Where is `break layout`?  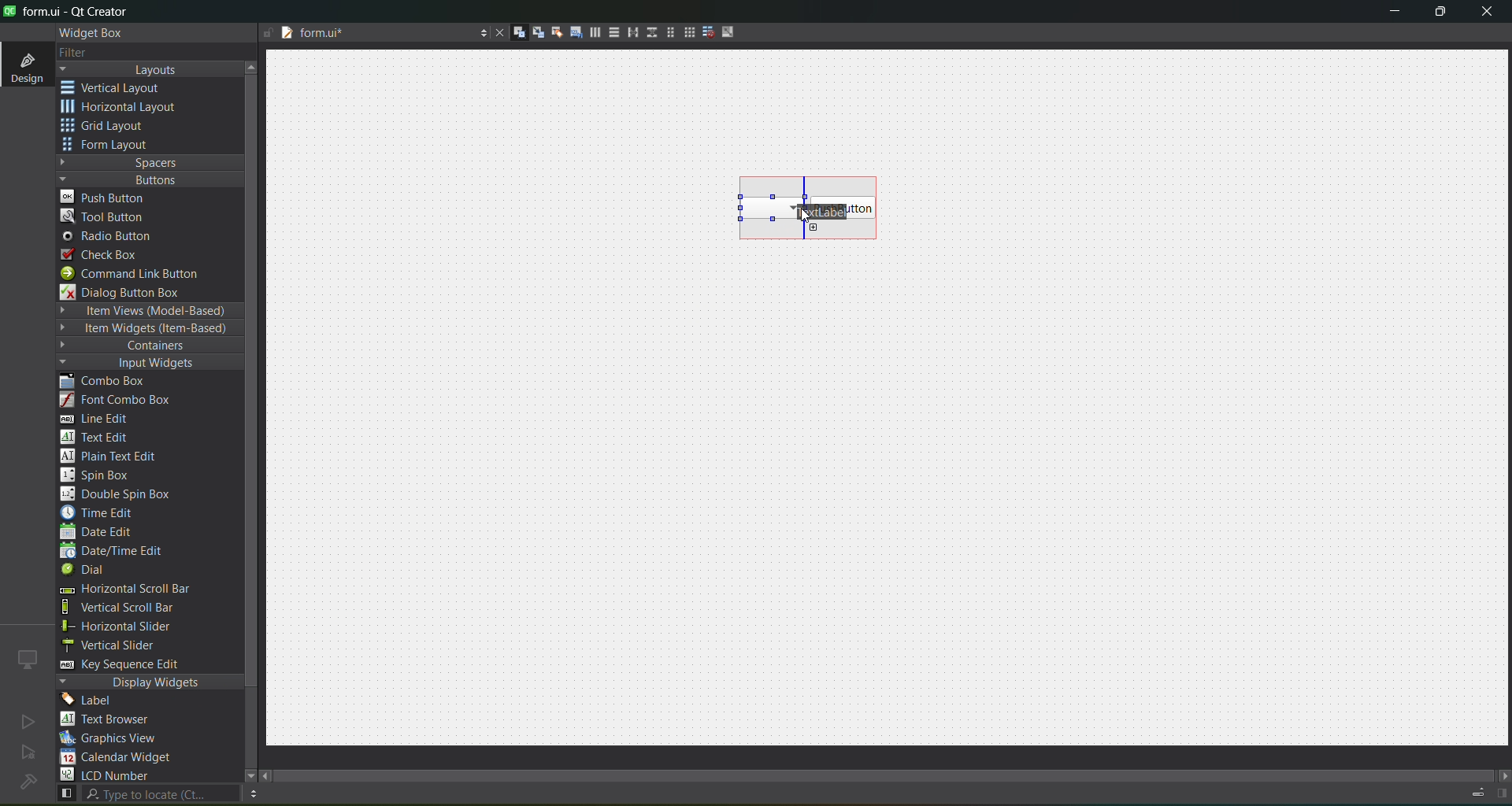
break layout is located at coordinates (704, 33).